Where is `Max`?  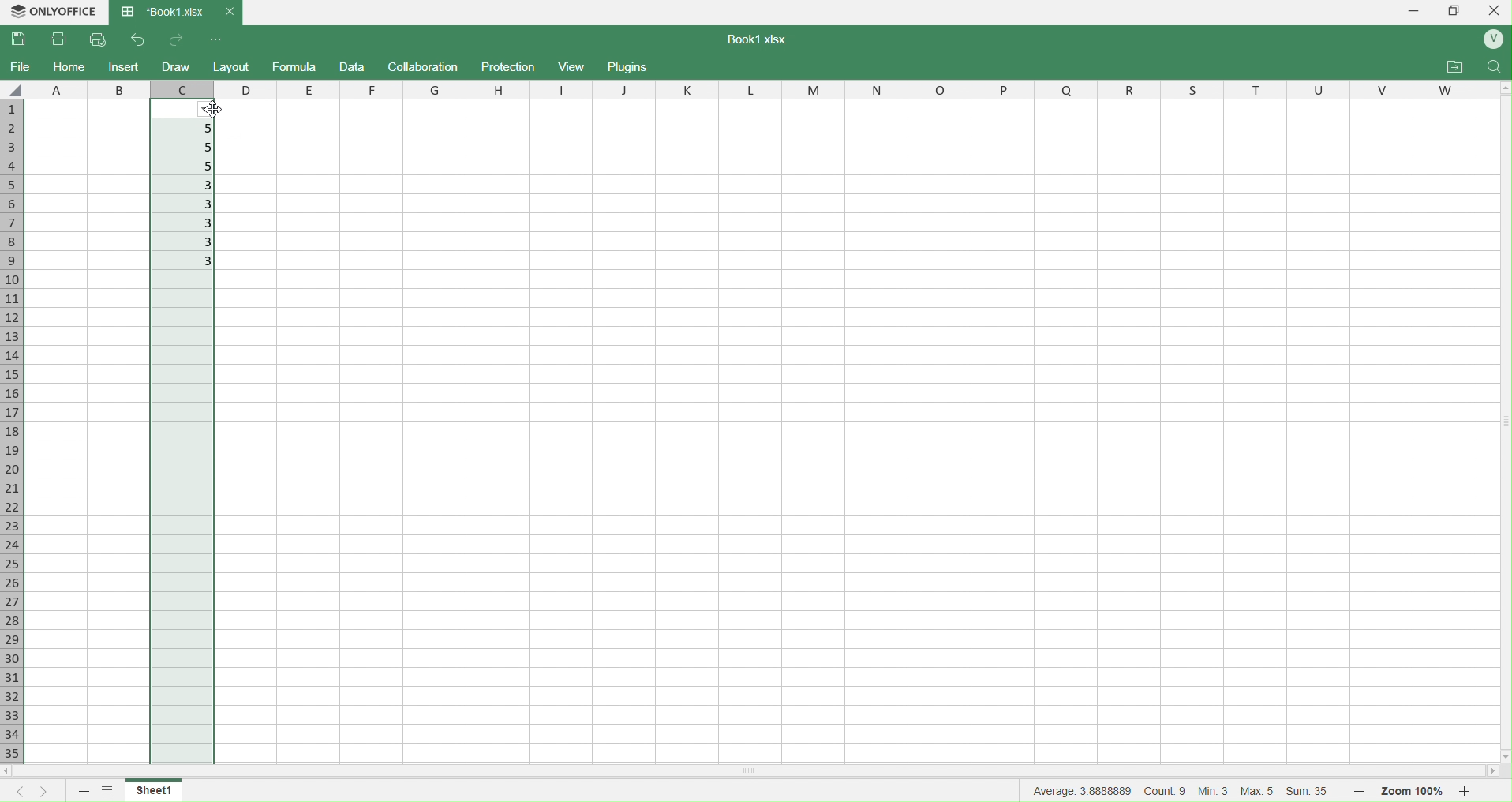
Max is located at coordinates (1259, 790).